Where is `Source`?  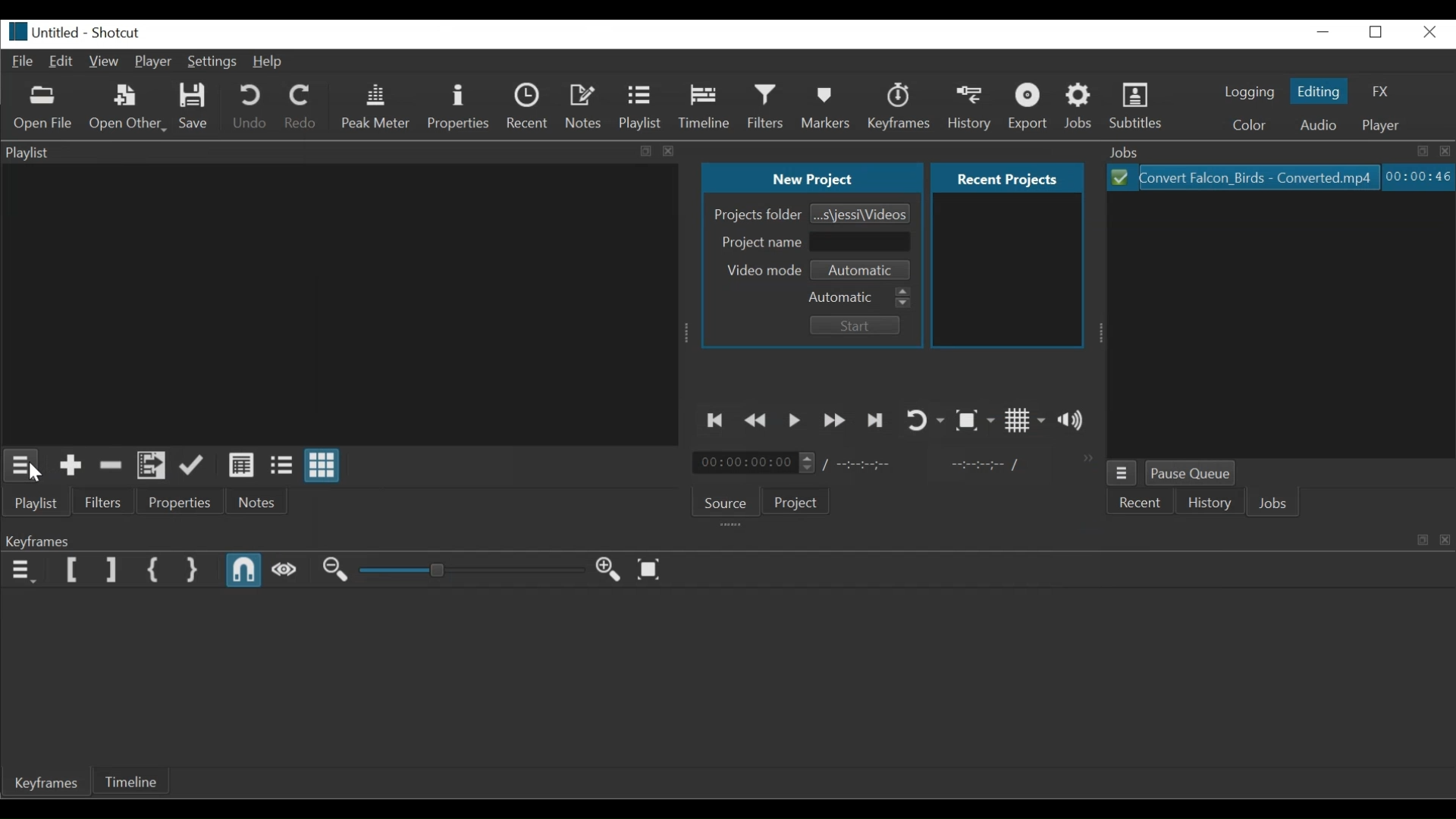 Source is located at coordinates (730, 499).